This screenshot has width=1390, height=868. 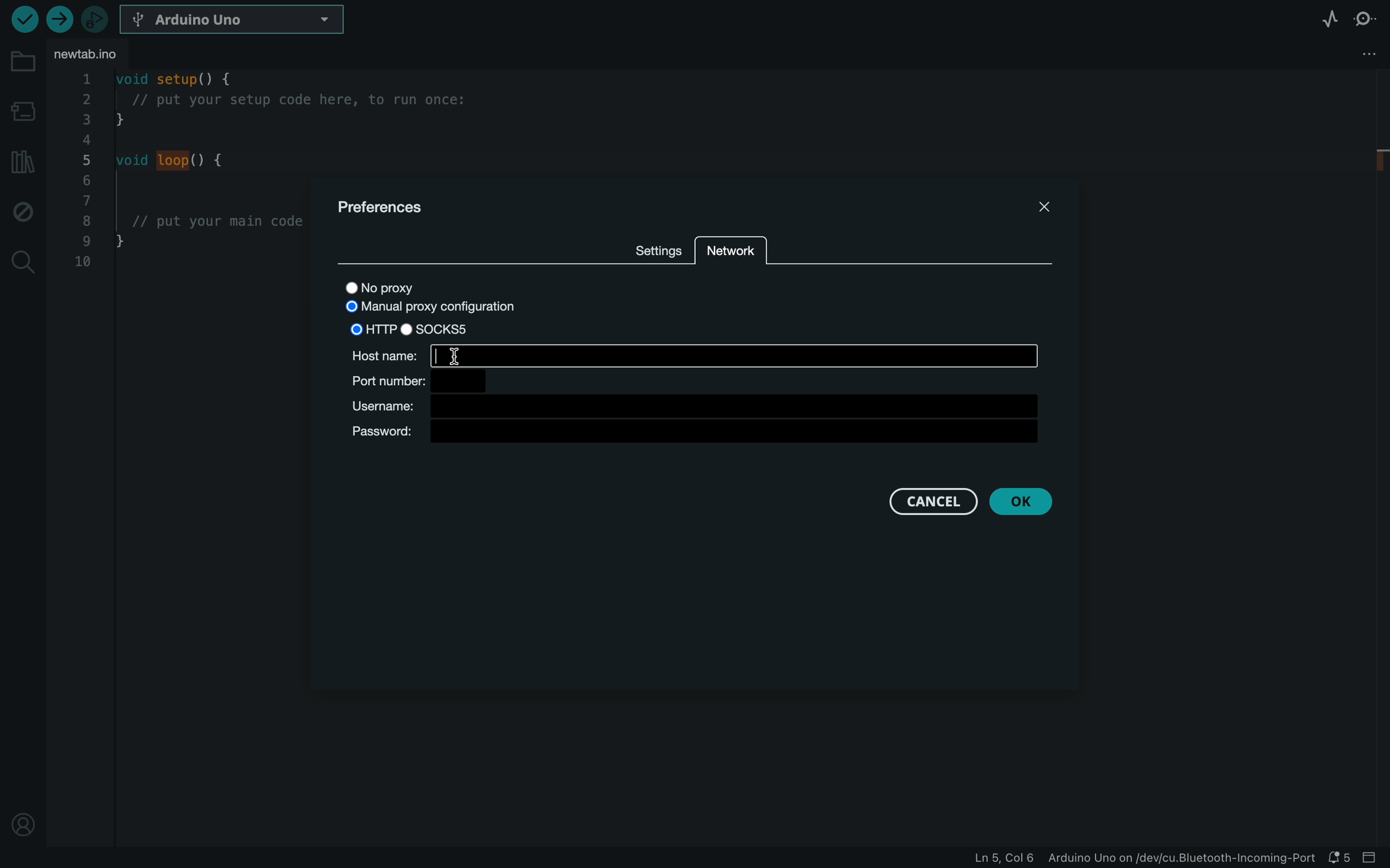 What do you see at coordinates (234, 21) in the screenshot?
I see `board selecter` at bounding box center [234, 21].